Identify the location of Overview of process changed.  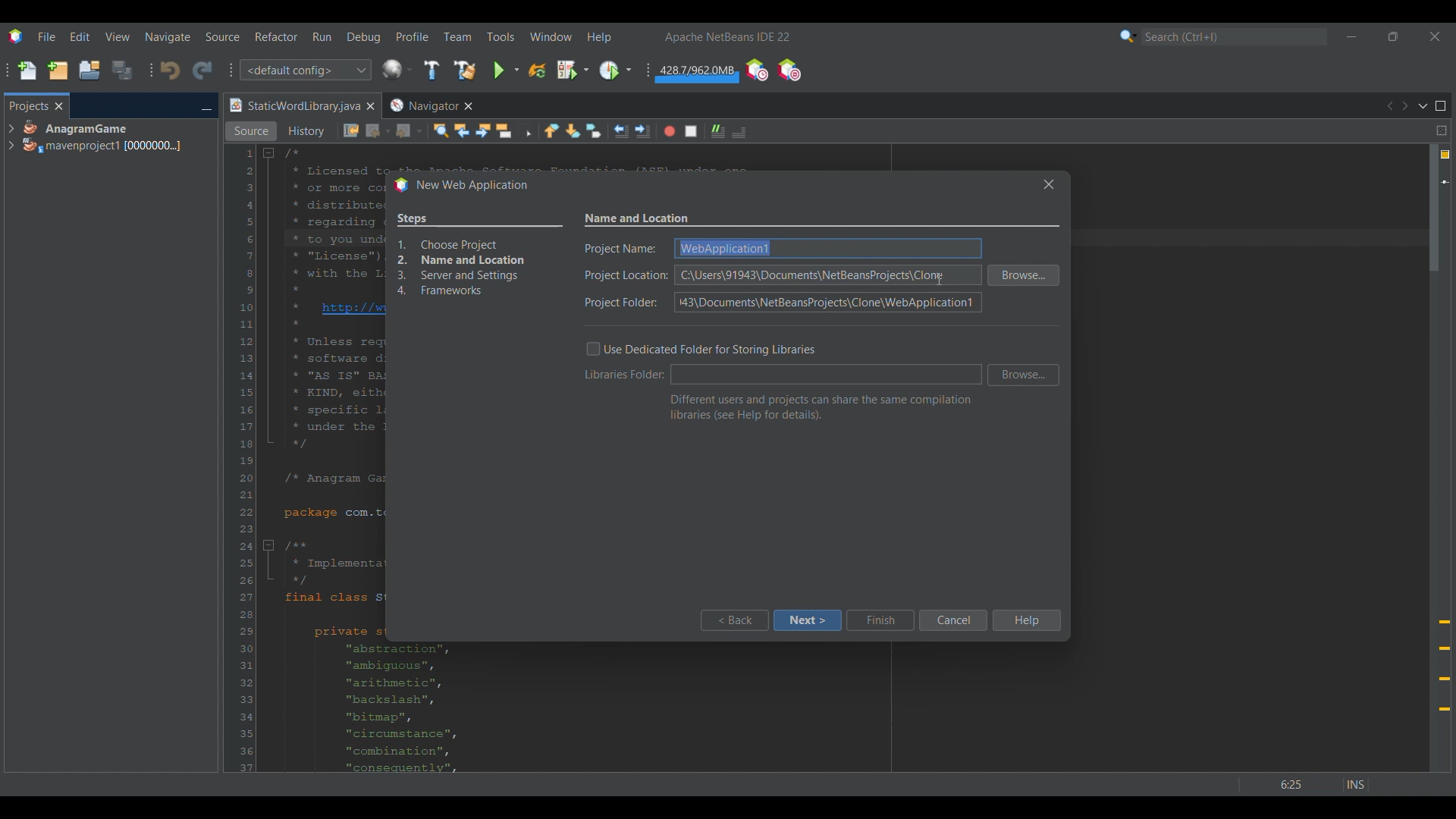
(479, 256).